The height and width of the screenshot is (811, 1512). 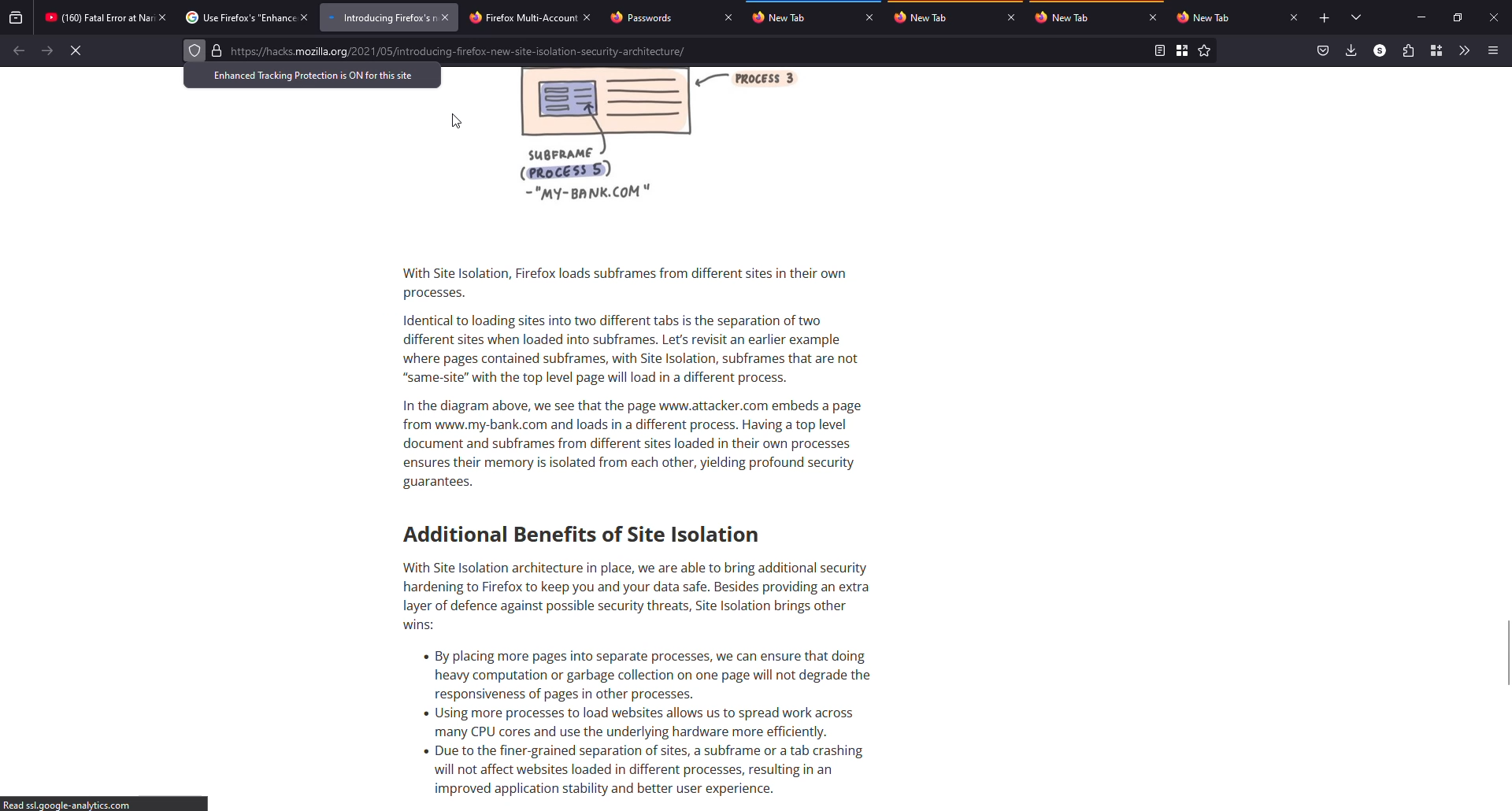 I want to click on back, so click(x=18, y=51).